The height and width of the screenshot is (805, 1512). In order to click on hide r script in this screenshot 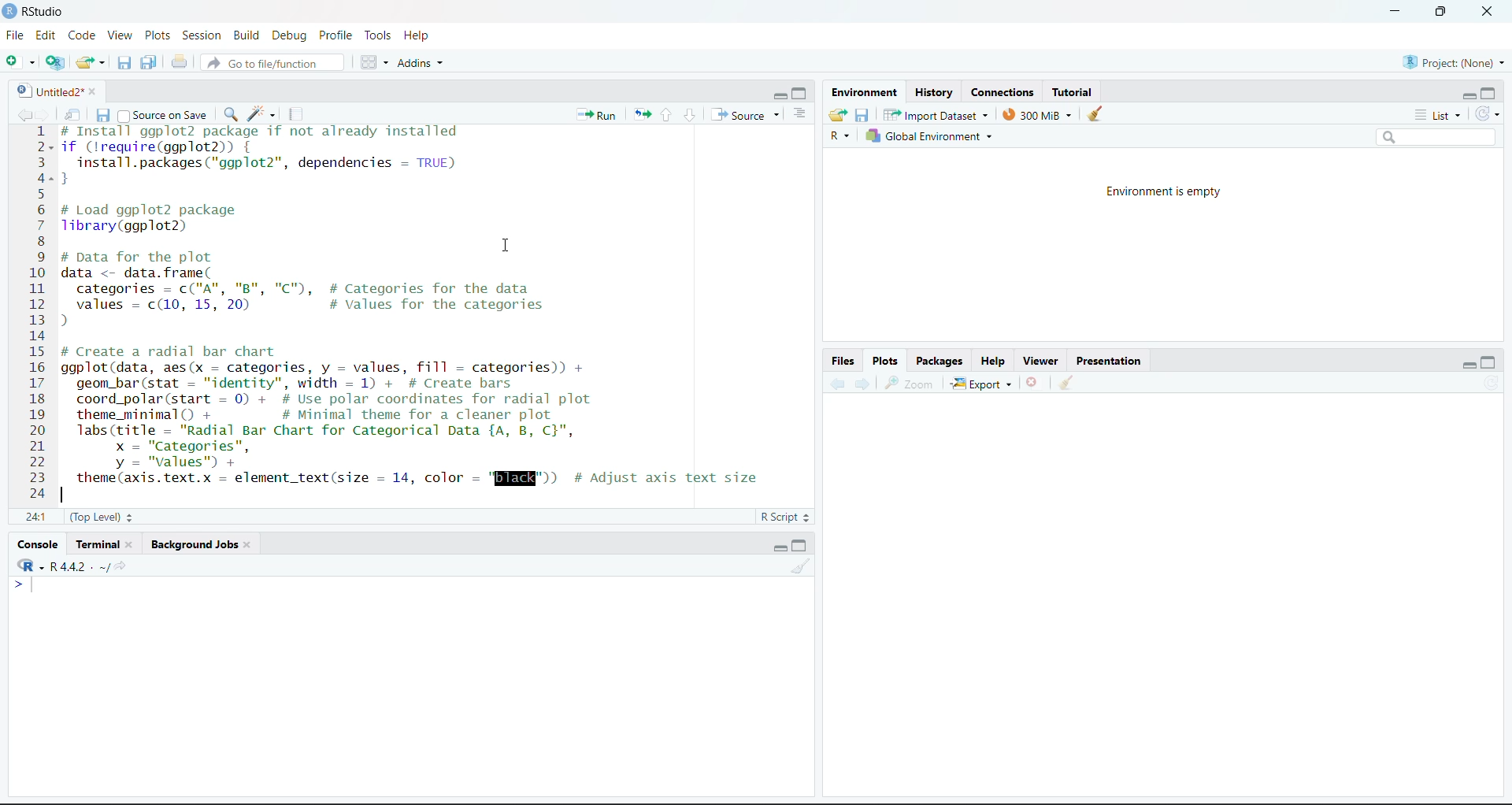, I will do `click(1469, 362)`.